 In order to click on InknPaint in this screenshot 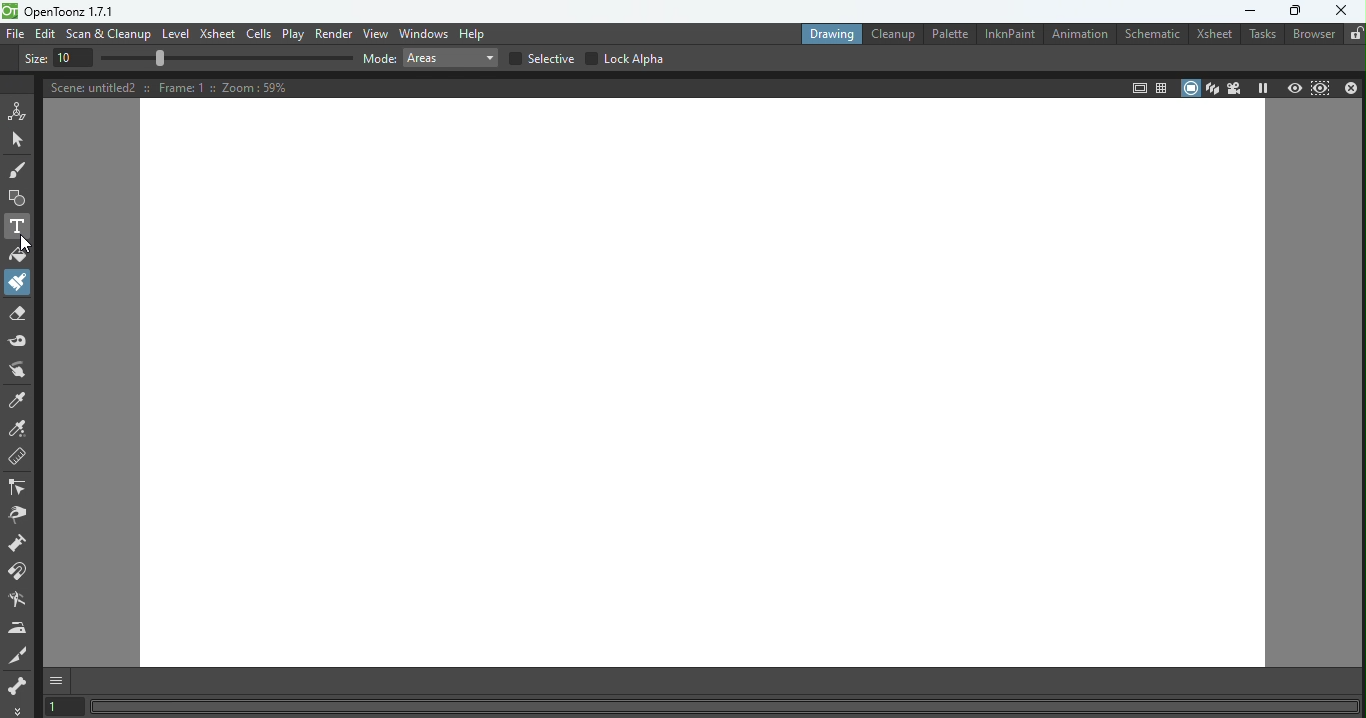, I will do `click(1009, 34)`.